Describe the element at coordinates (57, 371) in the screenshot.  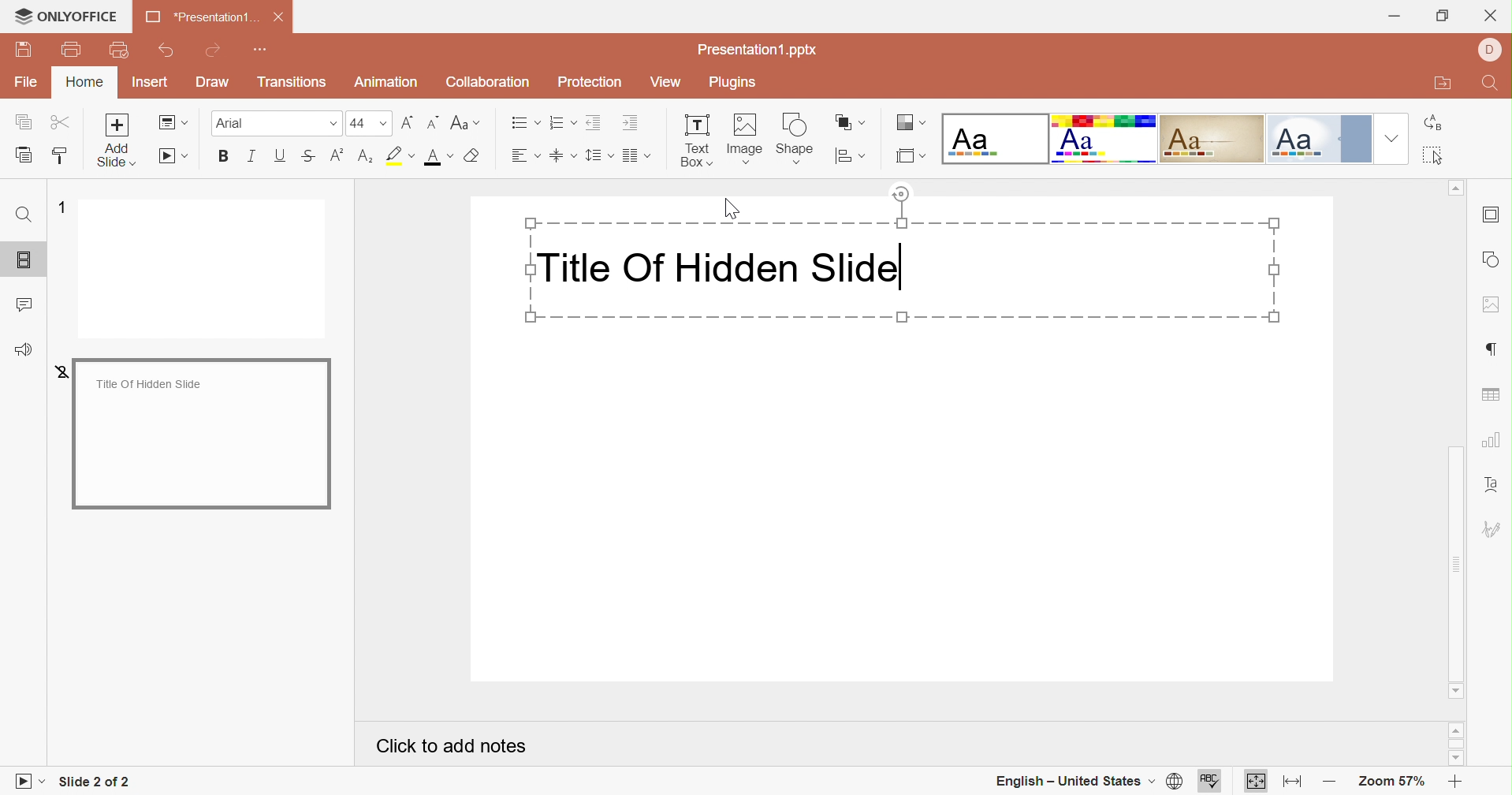
I see `2` at that location.